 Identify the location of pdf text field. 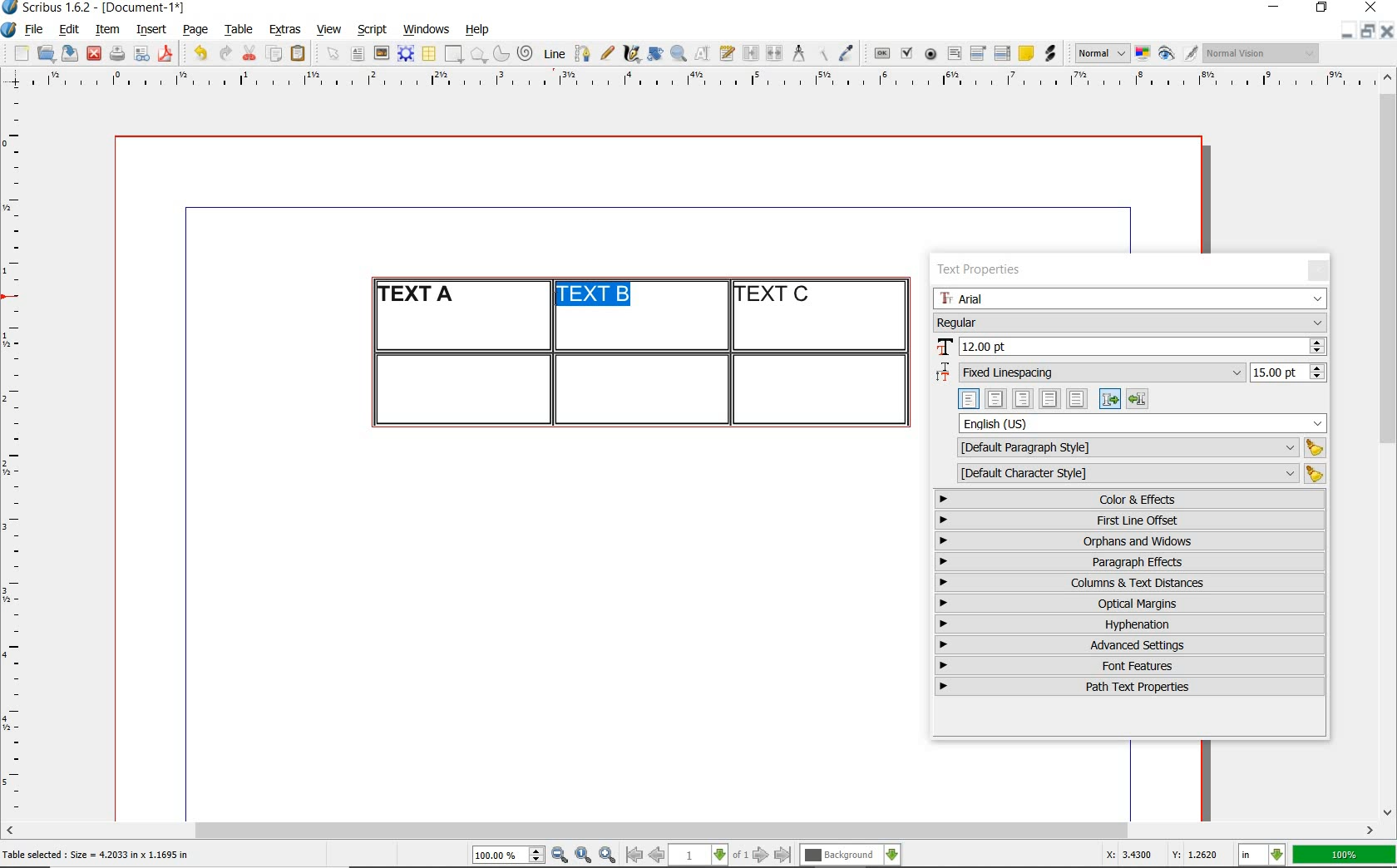
(954, 55).